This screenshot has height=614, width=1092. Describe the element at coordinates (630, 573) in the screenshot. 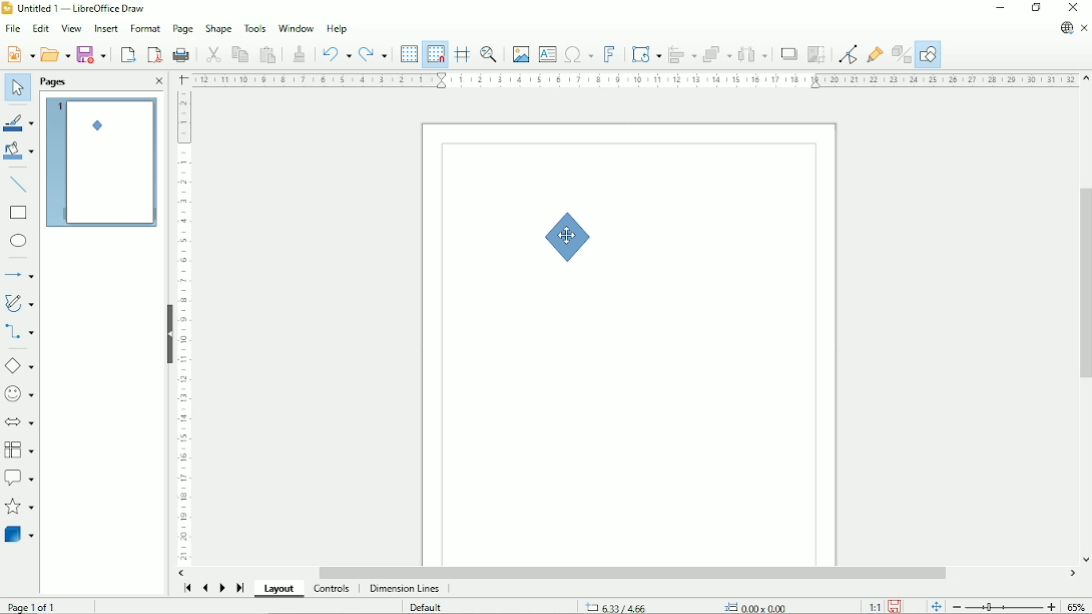

I see `Horizontal scrollbar` at that location.